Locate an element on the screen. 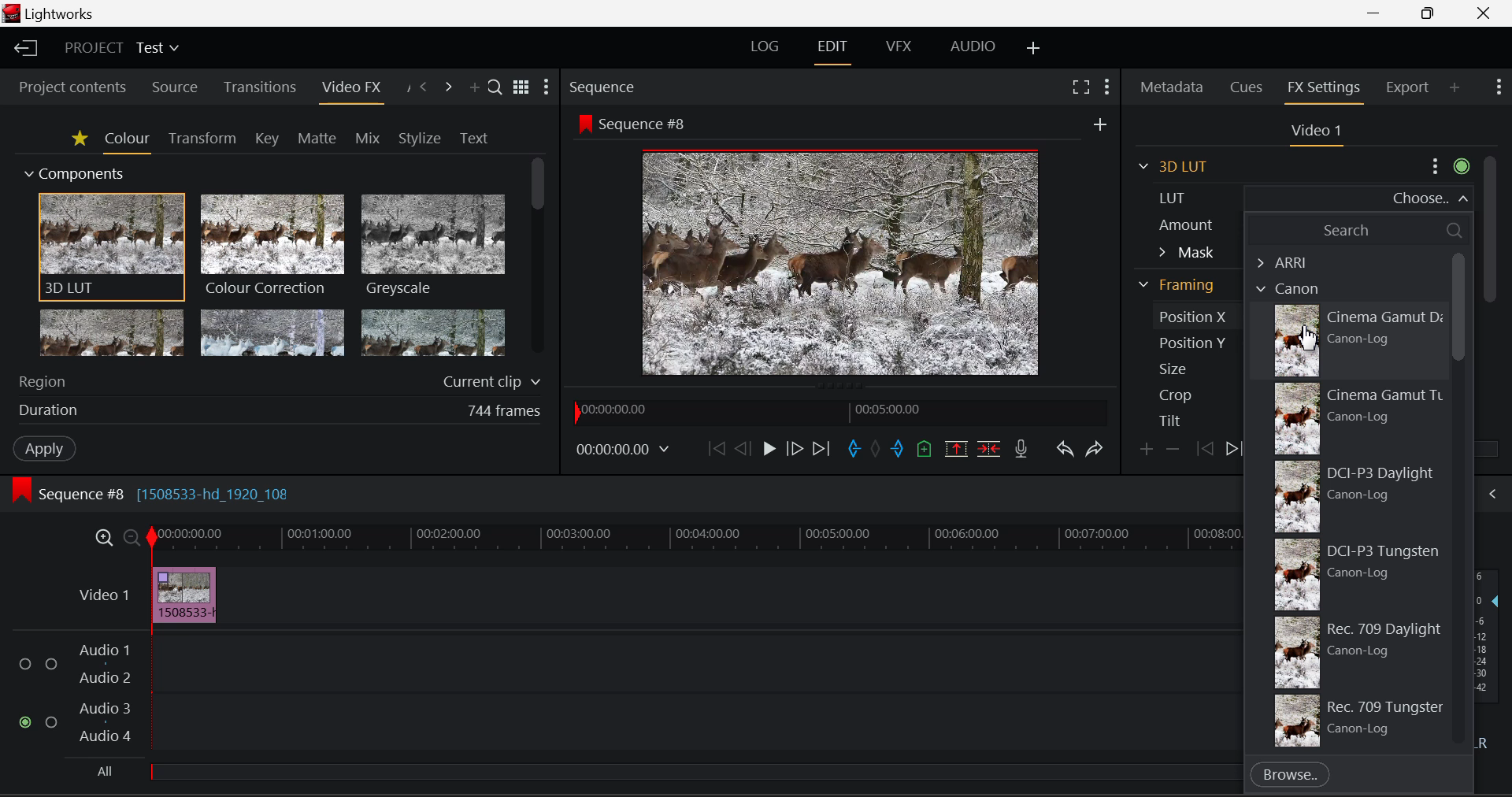 This screenshot has width=1512, height=797. Previous Panel is located at coordinates (425, 85).